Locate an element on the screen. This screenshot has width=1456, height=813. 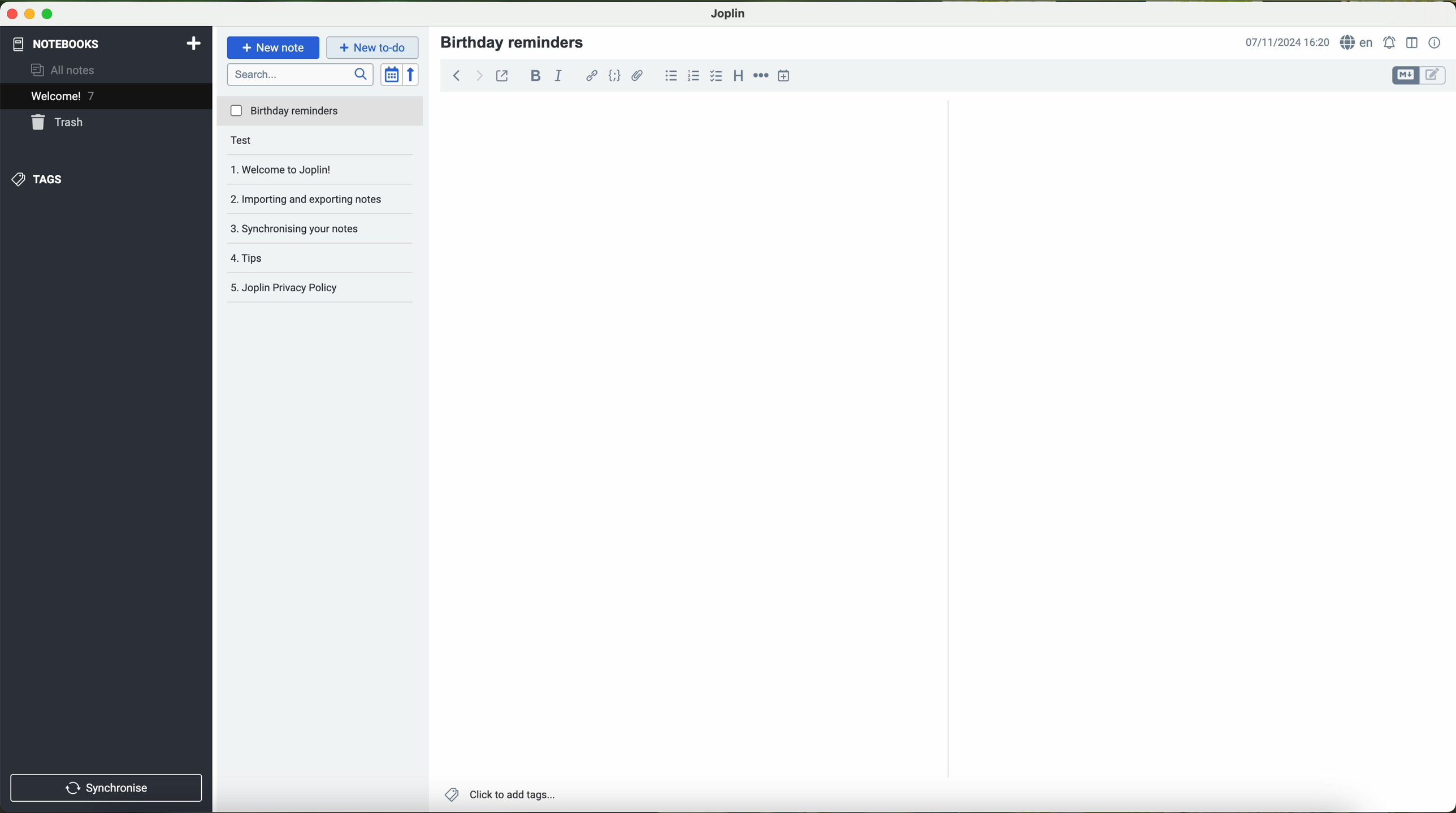
tips is located at coordinates (269, 254).